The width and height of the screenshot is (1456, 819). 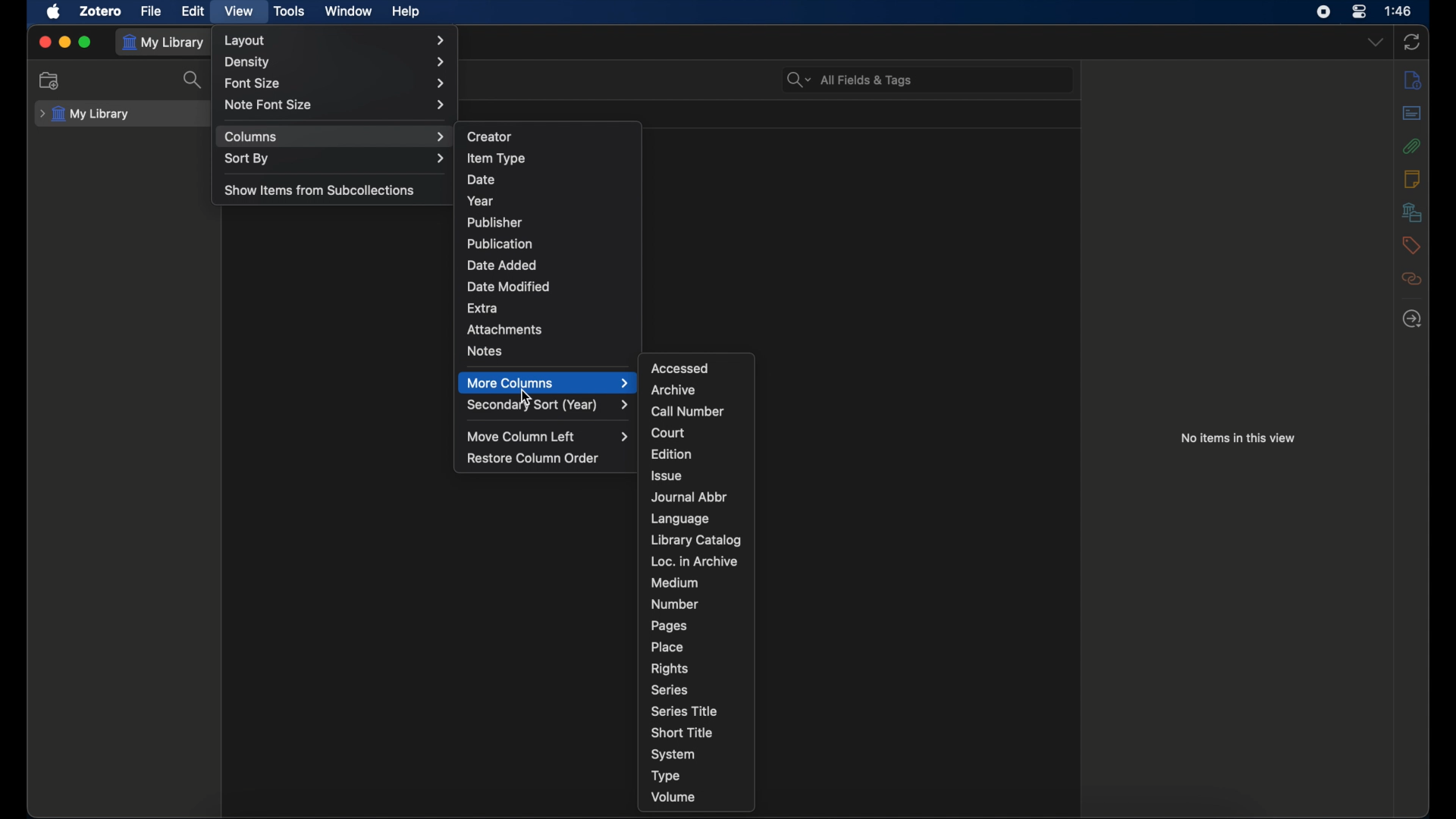 I want to click on series title, so click(x=686, y=711).